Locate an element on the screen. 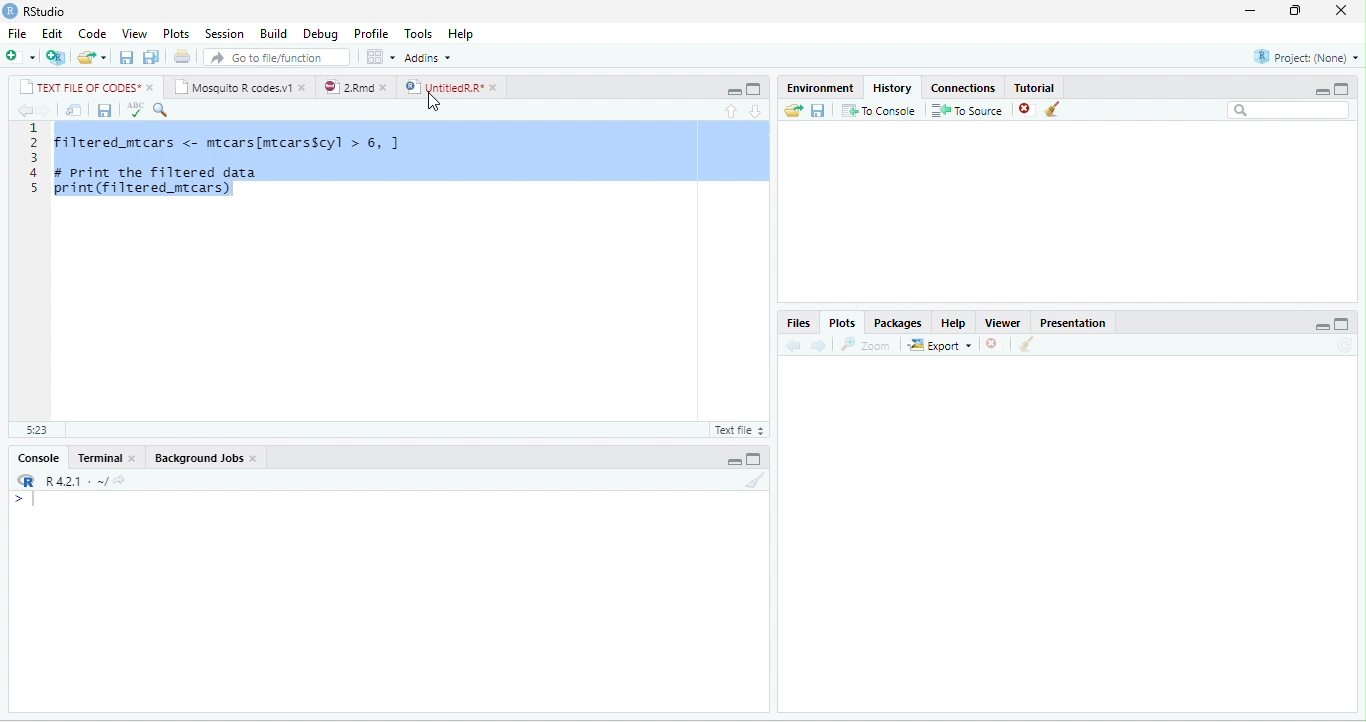 The width and height of the screenshot is (1366, 722). cursor is located at coordinates (434, 102).